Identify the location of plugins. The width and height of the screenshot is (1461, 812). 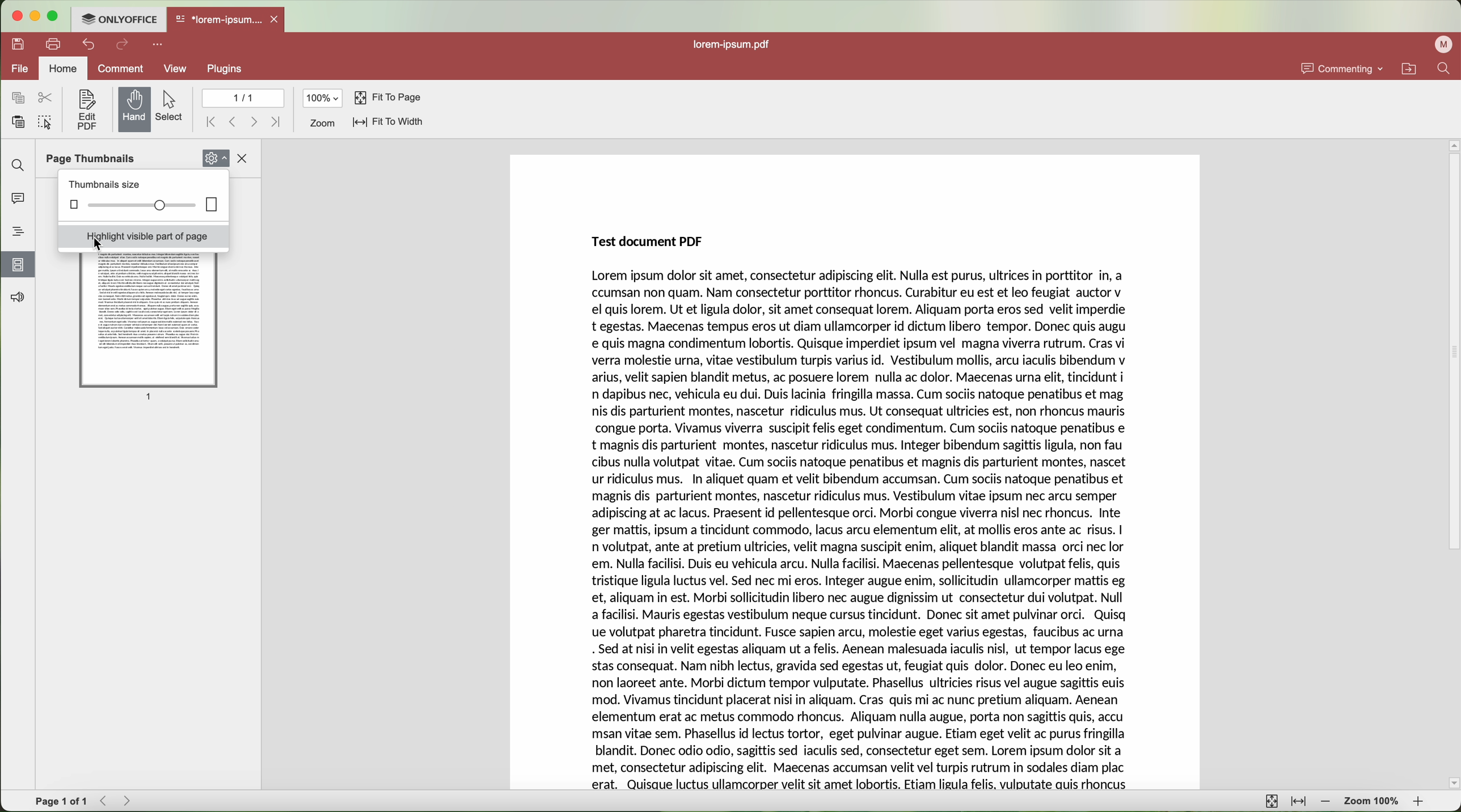
(225, 69).